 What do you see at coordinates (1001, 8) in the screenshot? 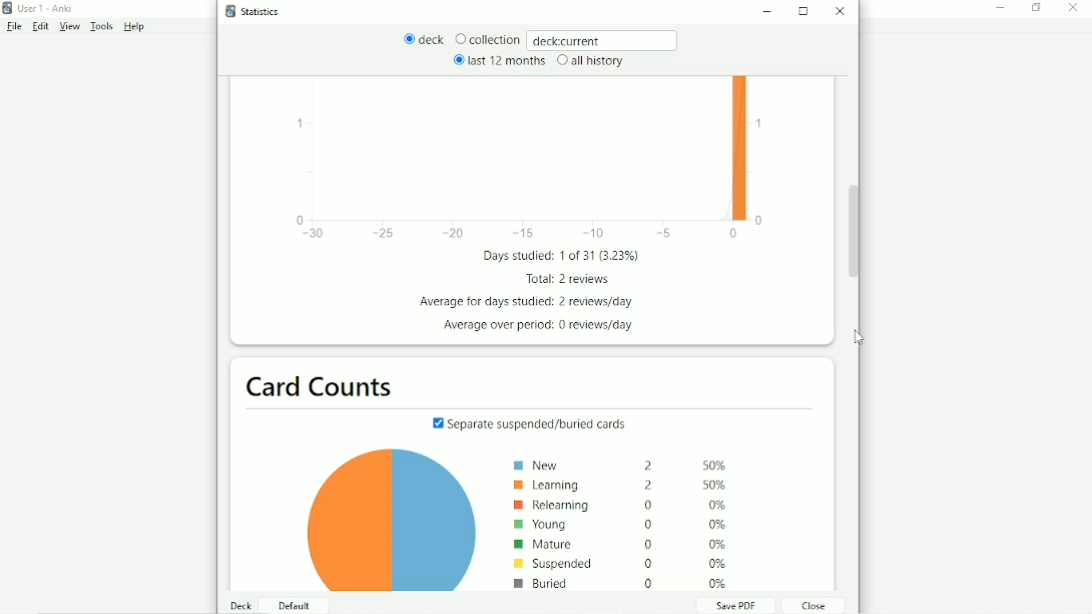
I see `Minimize` at bounding box center [1001, 8].